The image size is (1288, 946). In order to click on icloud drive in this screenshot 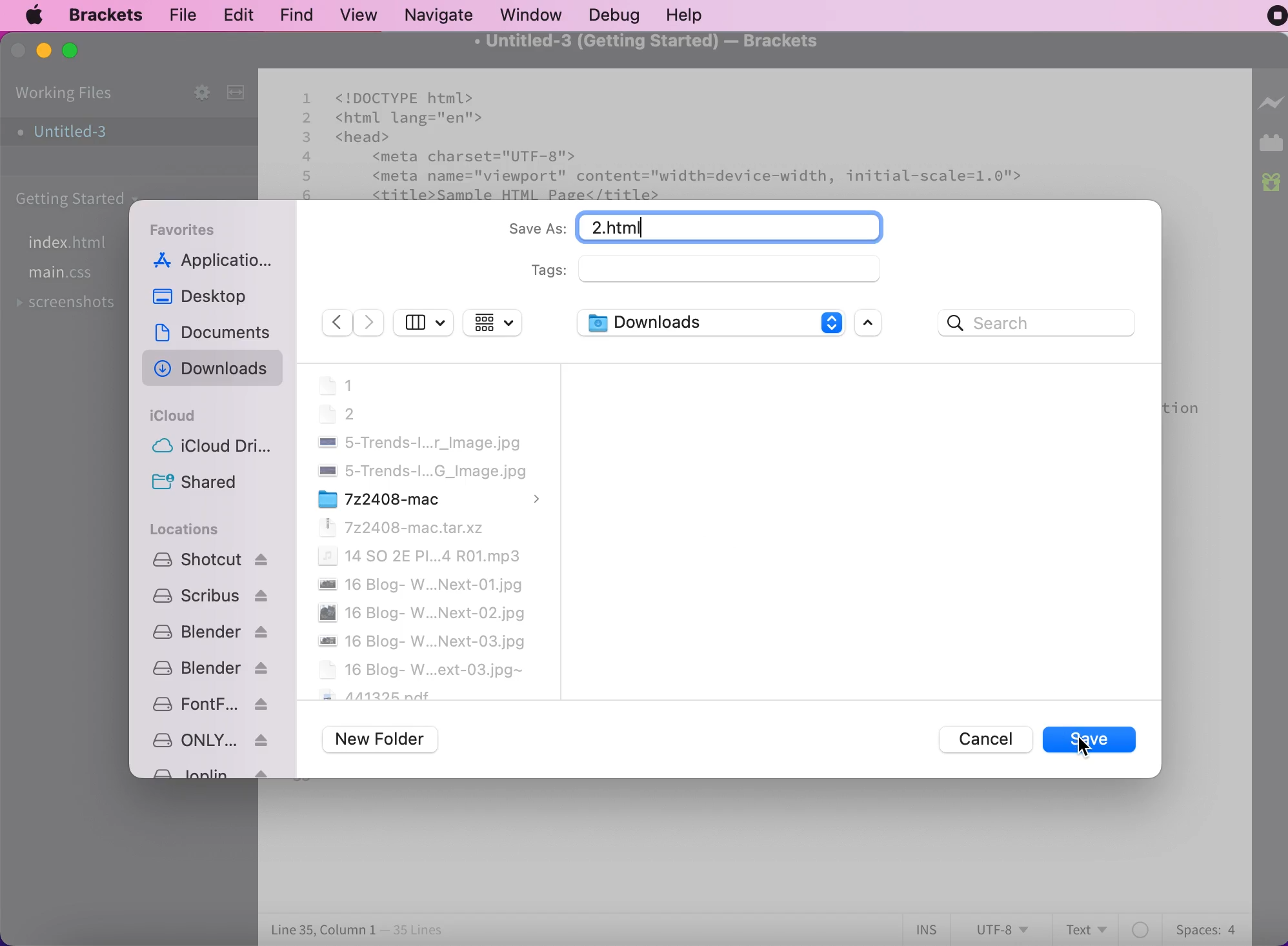, I will do `click(207, 450)`.